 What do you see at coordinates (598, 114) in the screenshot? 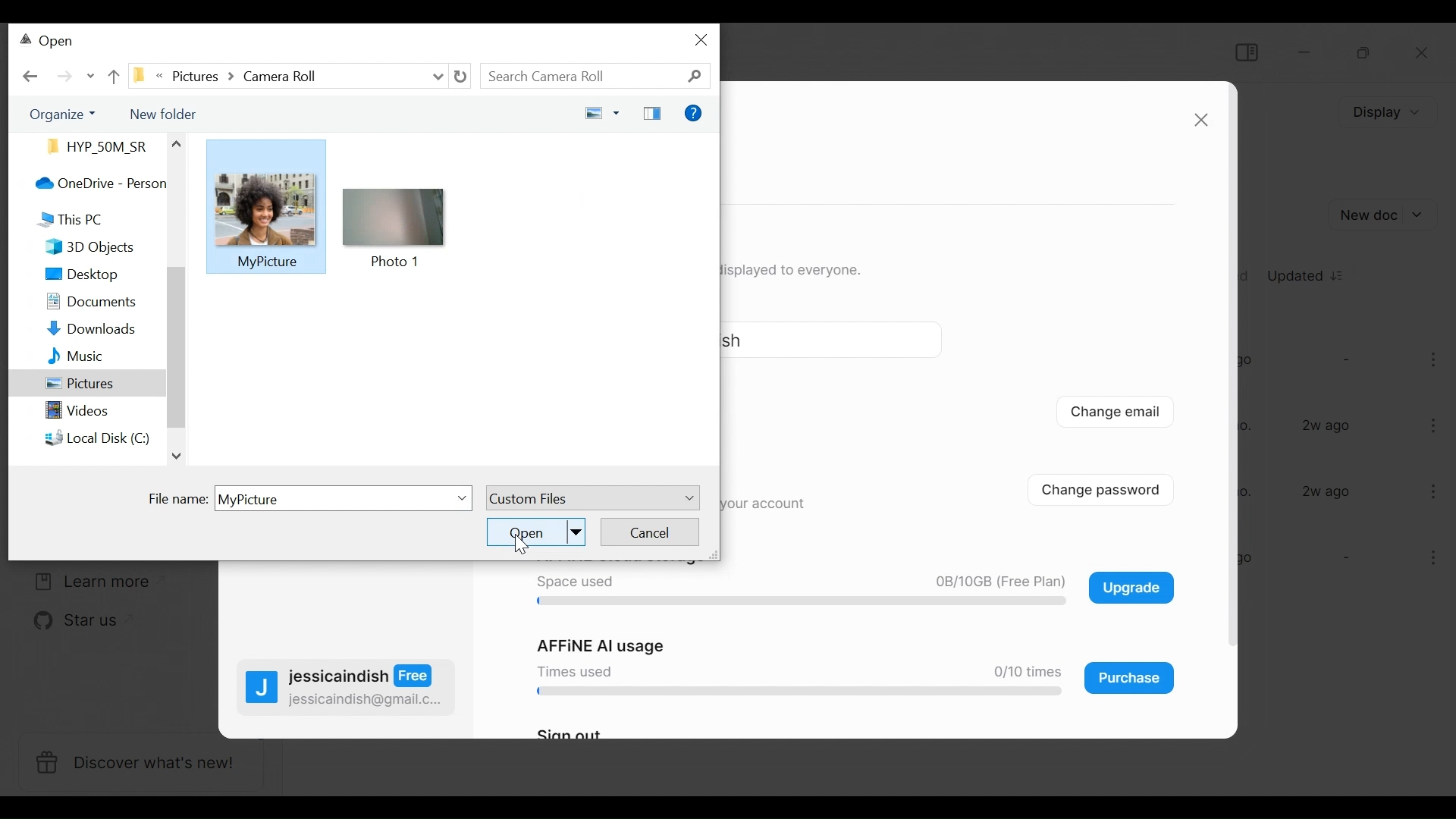
I see `Change your view` at bounding box center [598, 114].